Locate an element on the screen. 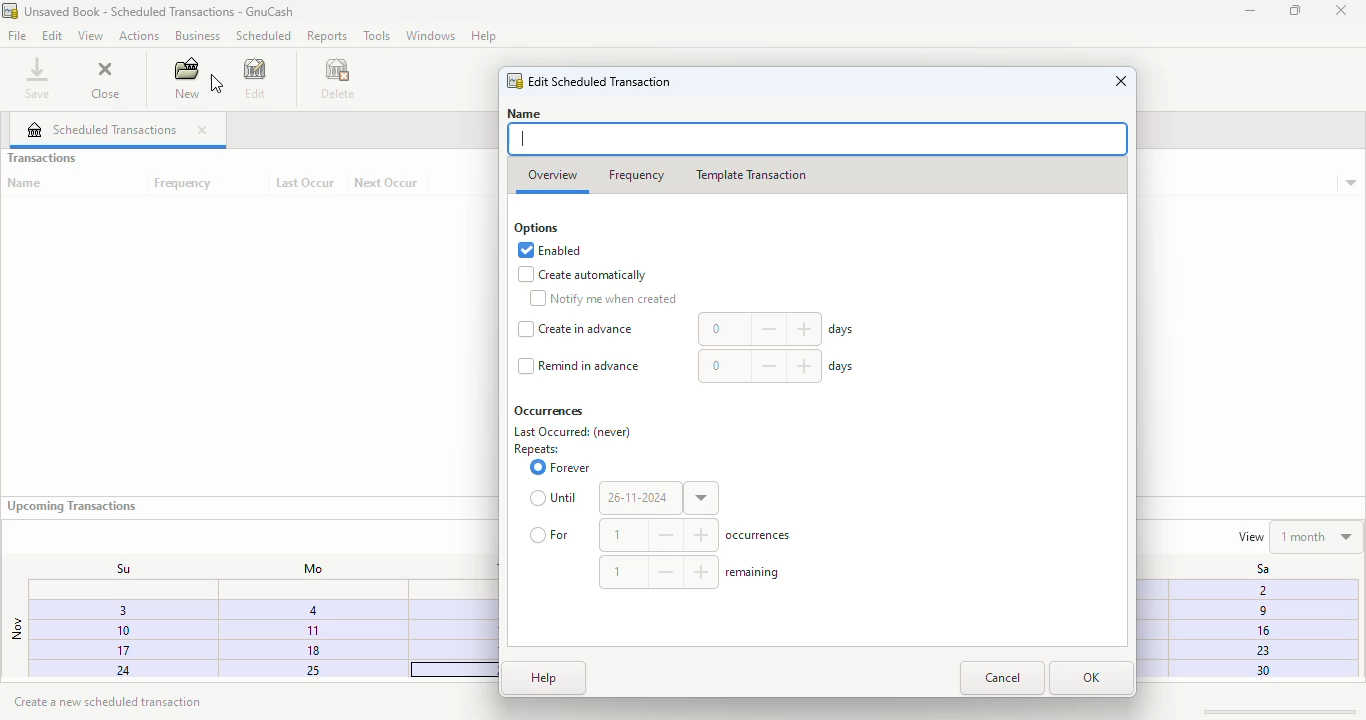  view is located at coordinates (90, 37).